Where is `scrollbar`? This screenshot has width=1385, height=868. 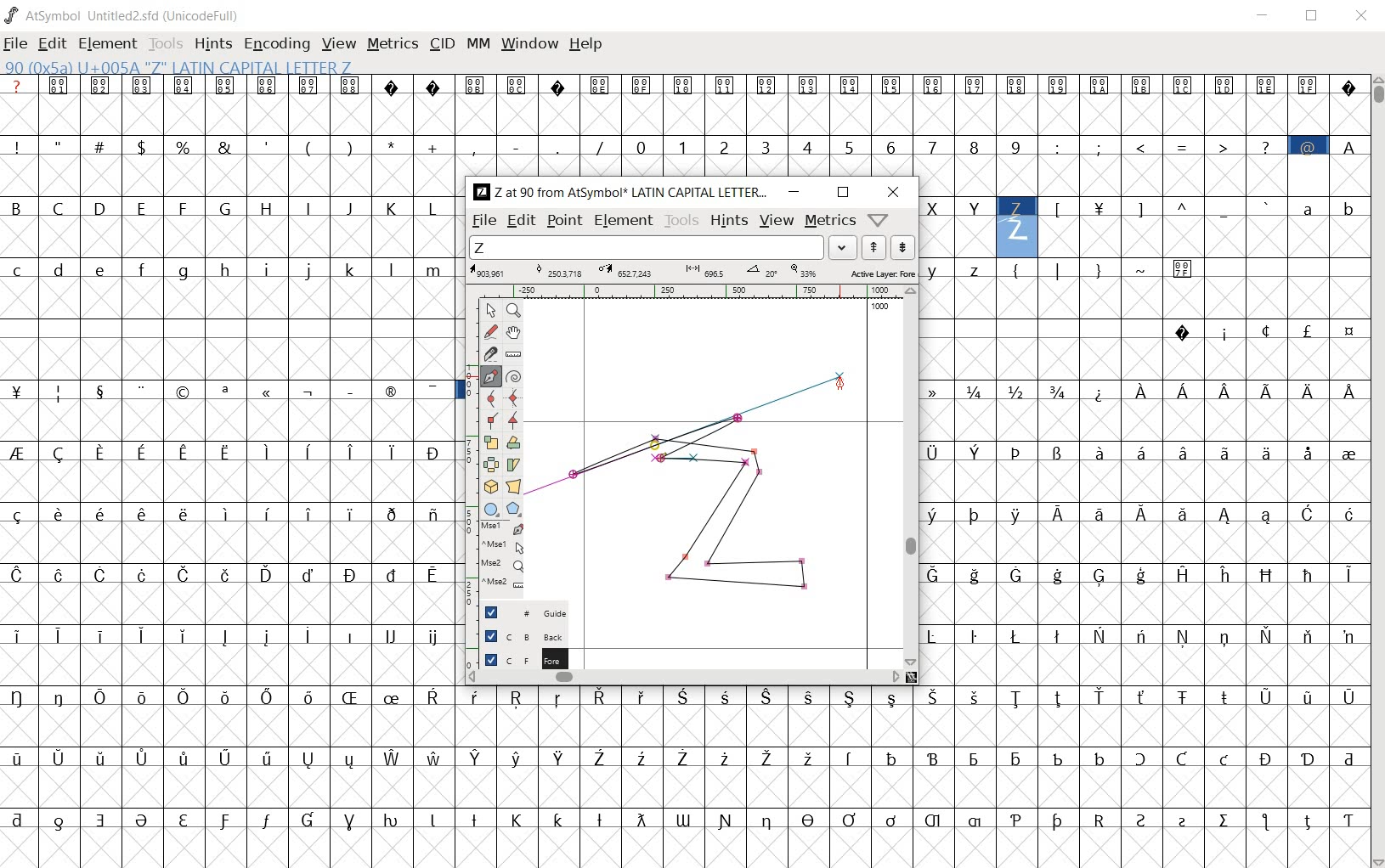
scrollbar is located at coordinates (909, 476).